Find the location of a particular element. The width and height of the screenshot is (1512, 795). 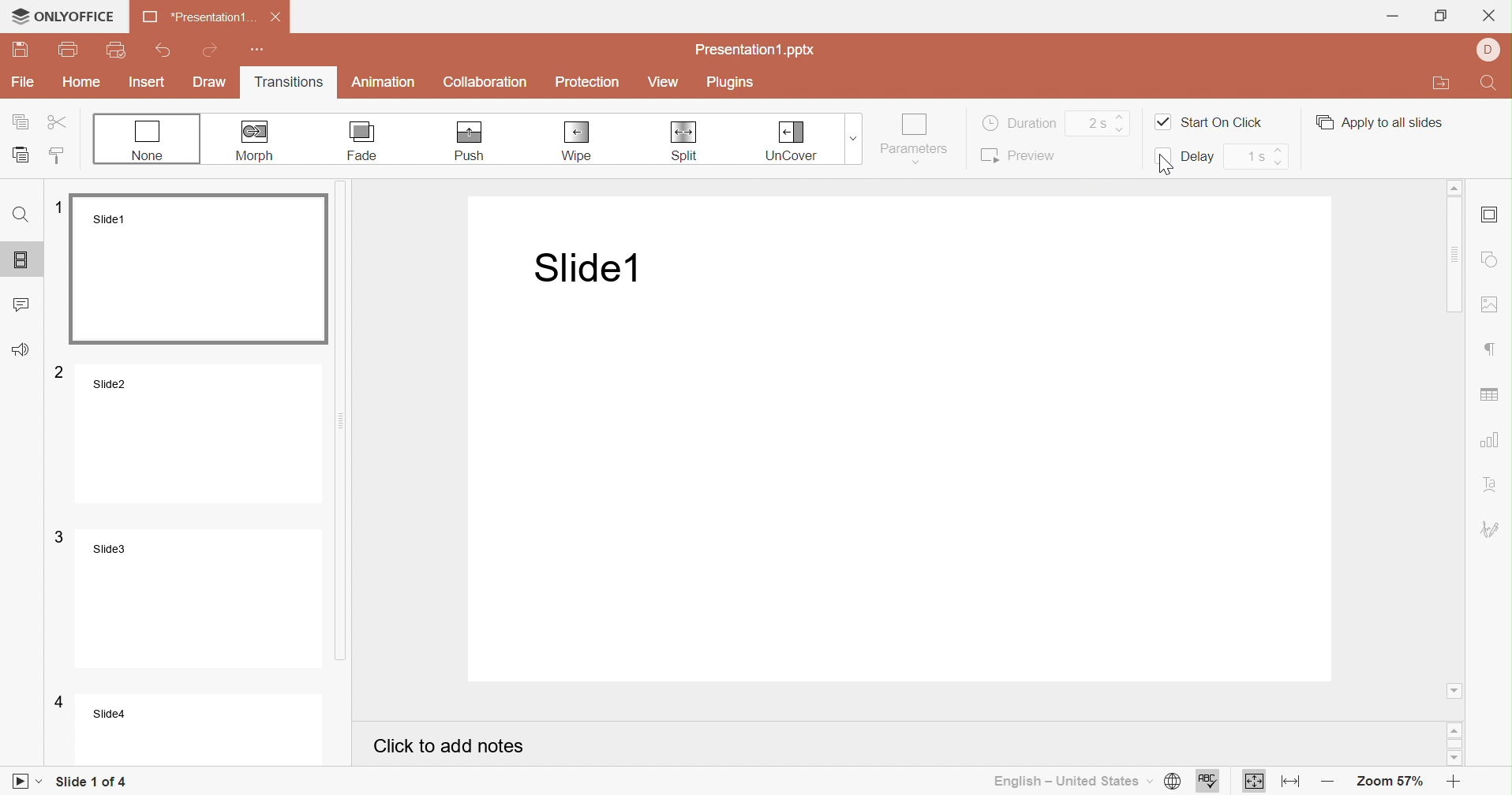

Plugins is located at coordinates (728, 81).